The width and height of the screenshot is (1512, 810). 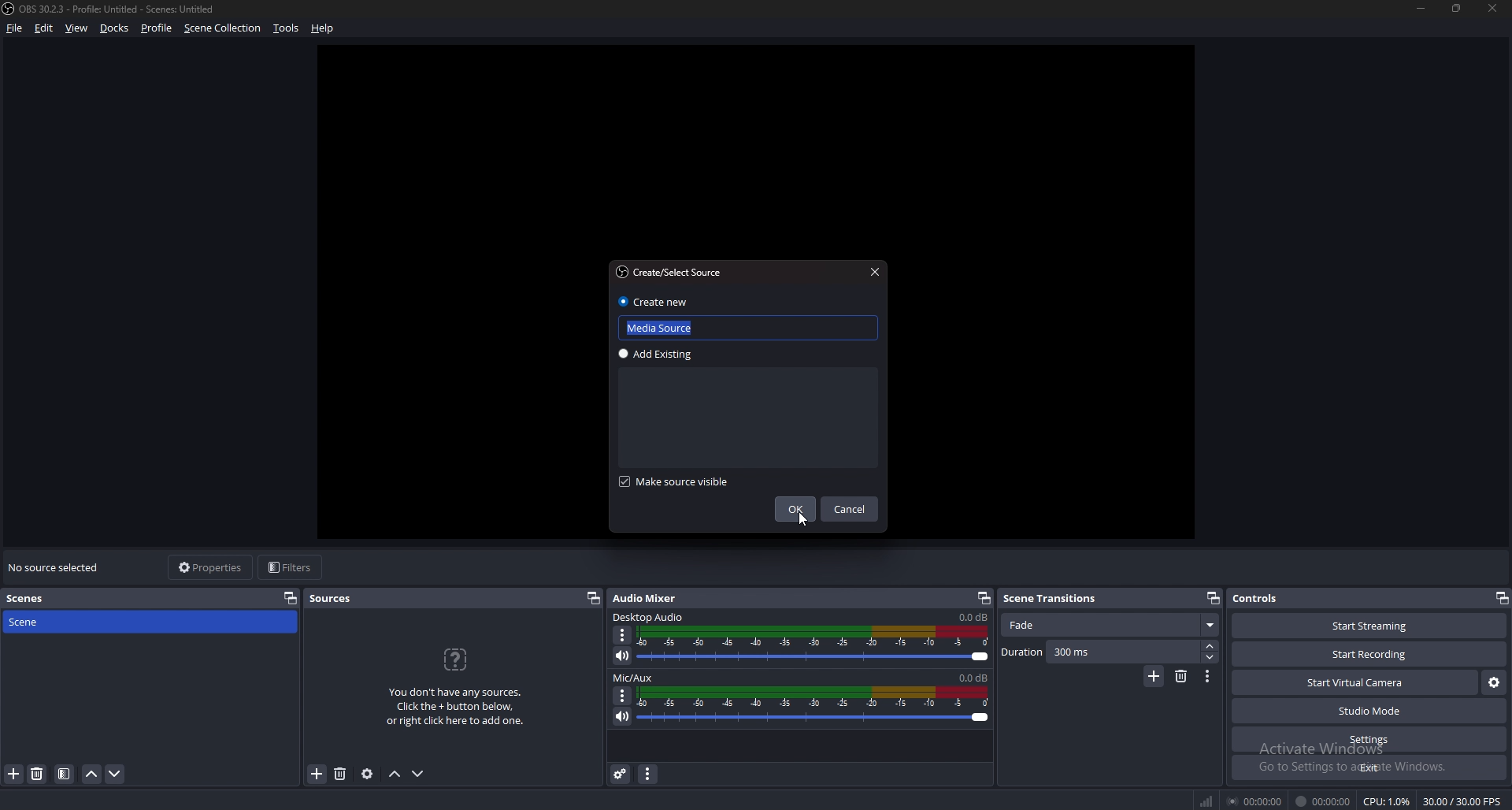 I want to click on Docks, so click(x=117, y=28).